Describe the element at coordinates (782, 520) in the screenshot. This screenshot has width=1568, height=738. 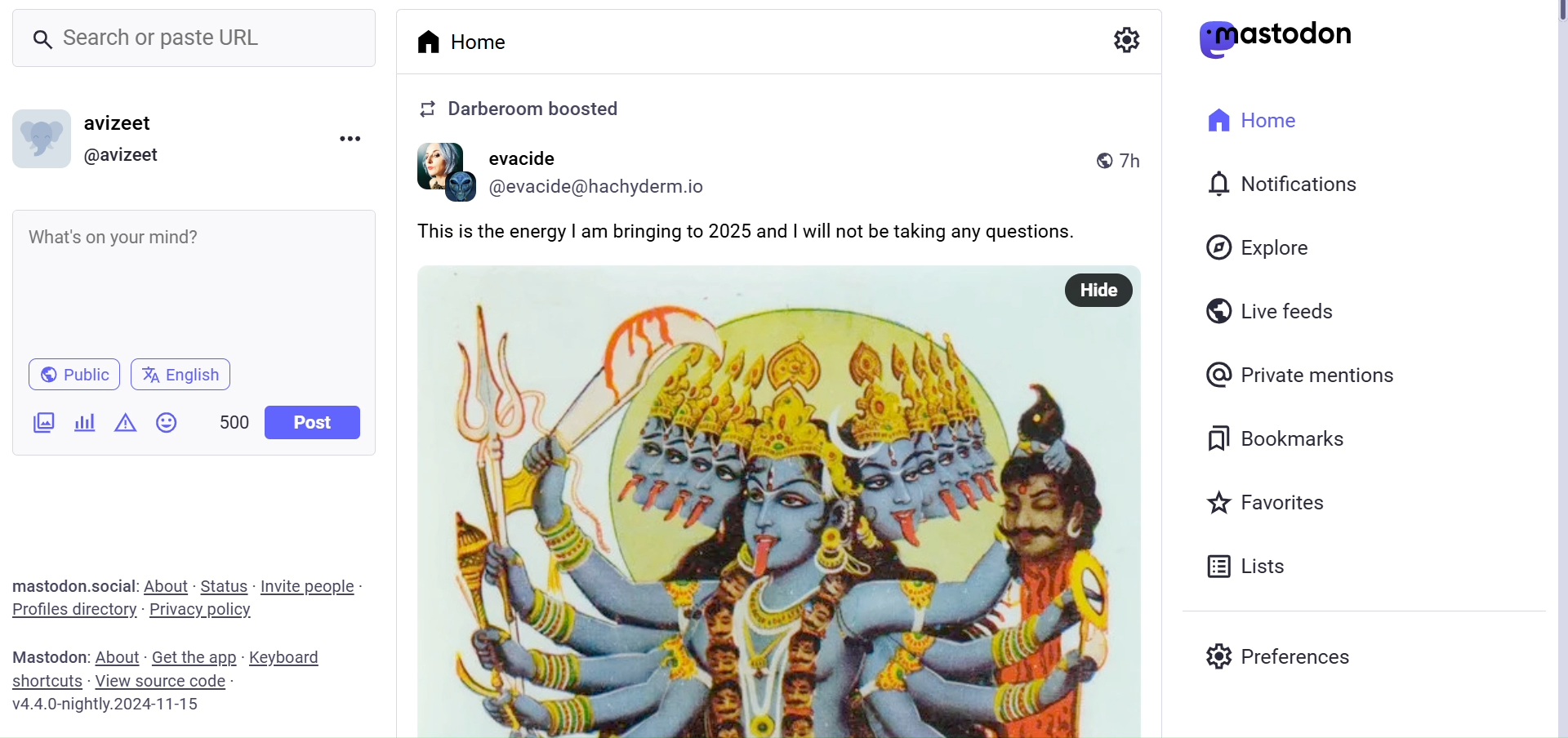
I see `image` at that location.